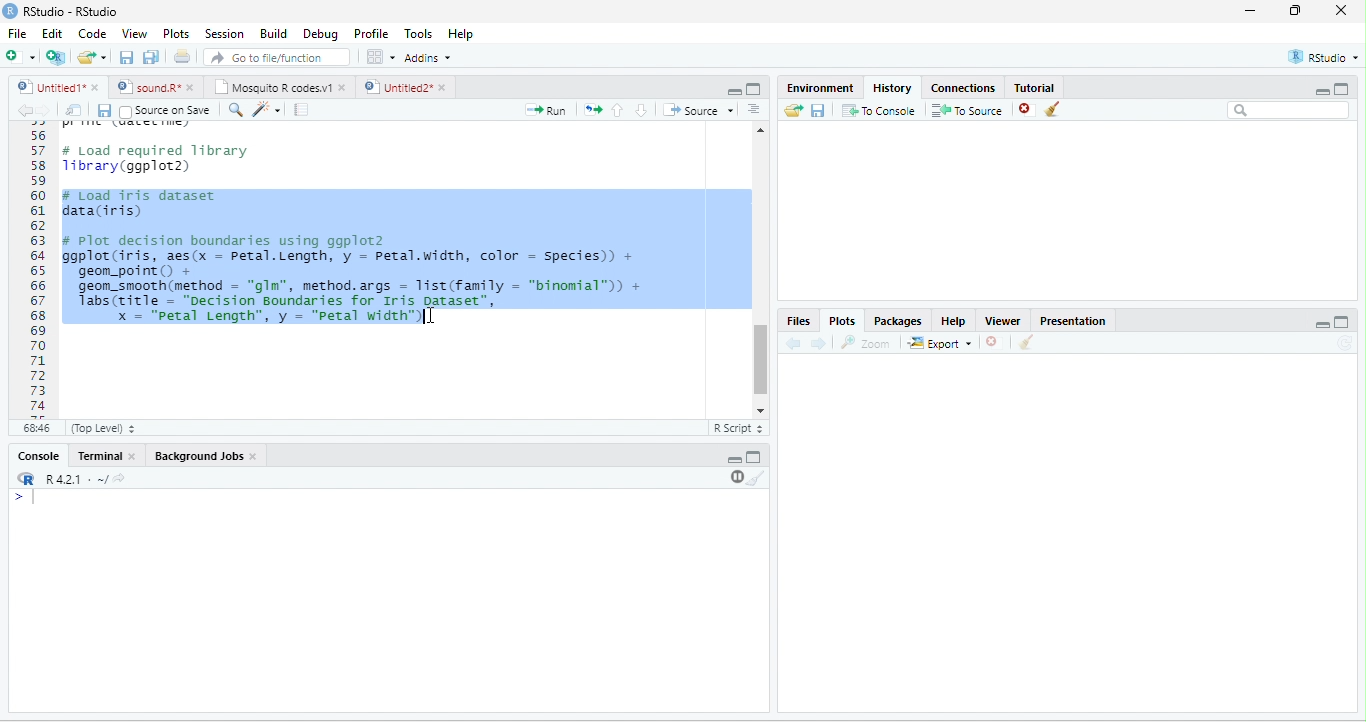  What do you see at coordinates (991, 342) in the screenshot?
I see `close` at bounding box center [991, 342].